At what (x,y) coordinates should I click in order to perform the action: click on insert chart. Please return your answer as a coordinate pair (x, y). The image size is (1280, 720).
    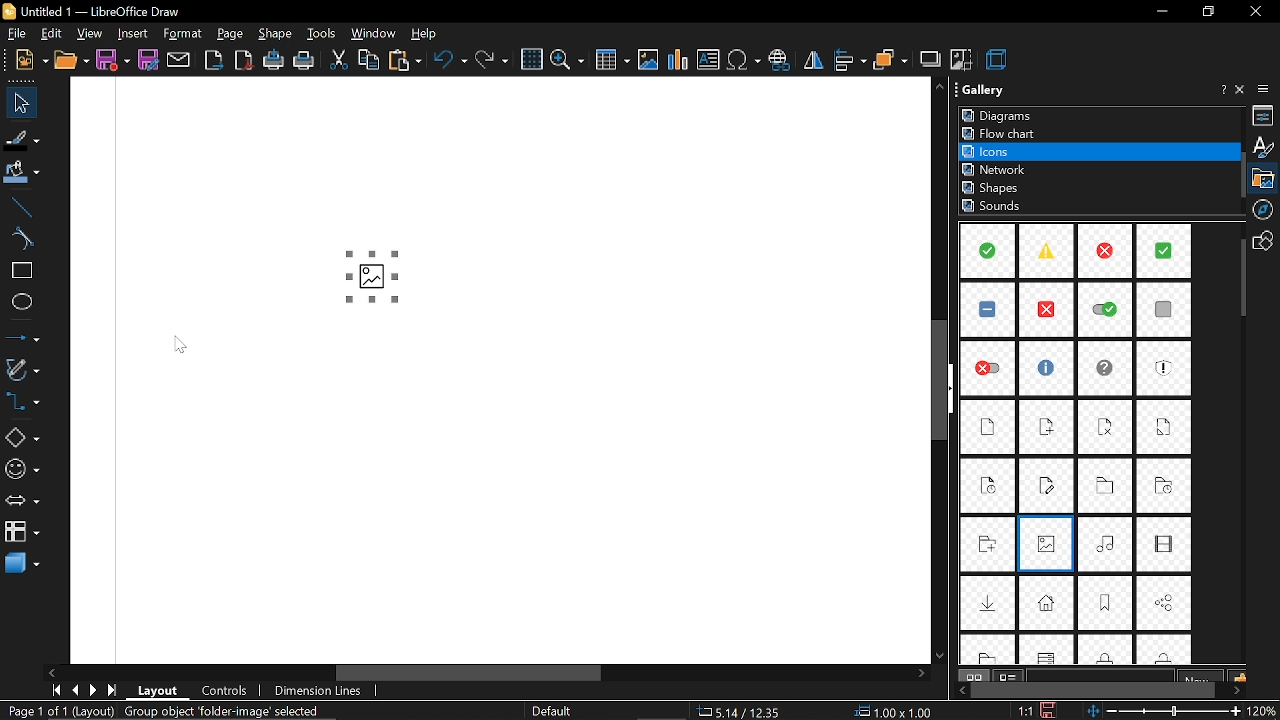
    Looking at the image, I should click on (678, 60).